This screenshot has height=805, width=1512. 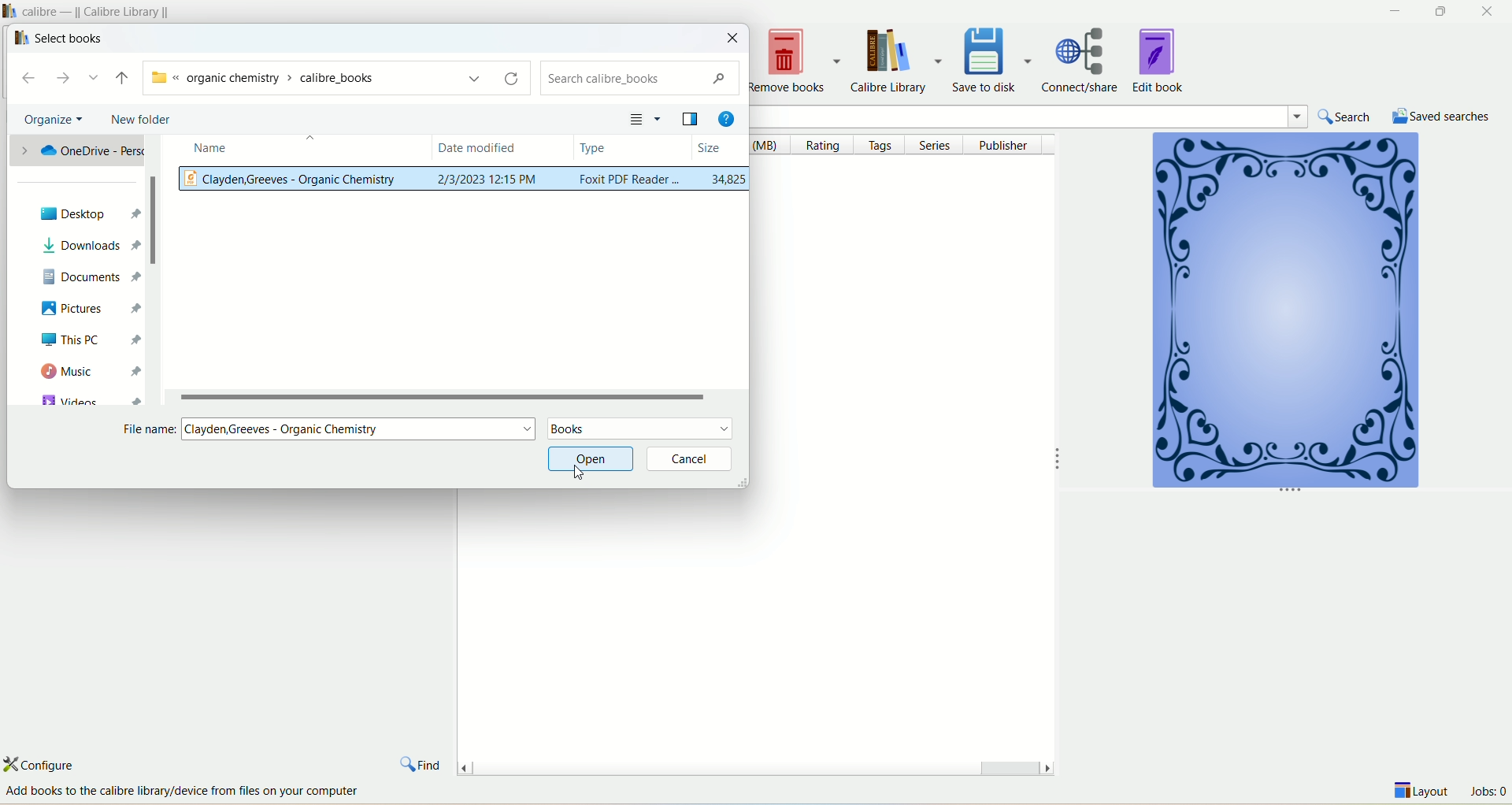 I want to click on coonect/share, so click(x=1085, y=58).